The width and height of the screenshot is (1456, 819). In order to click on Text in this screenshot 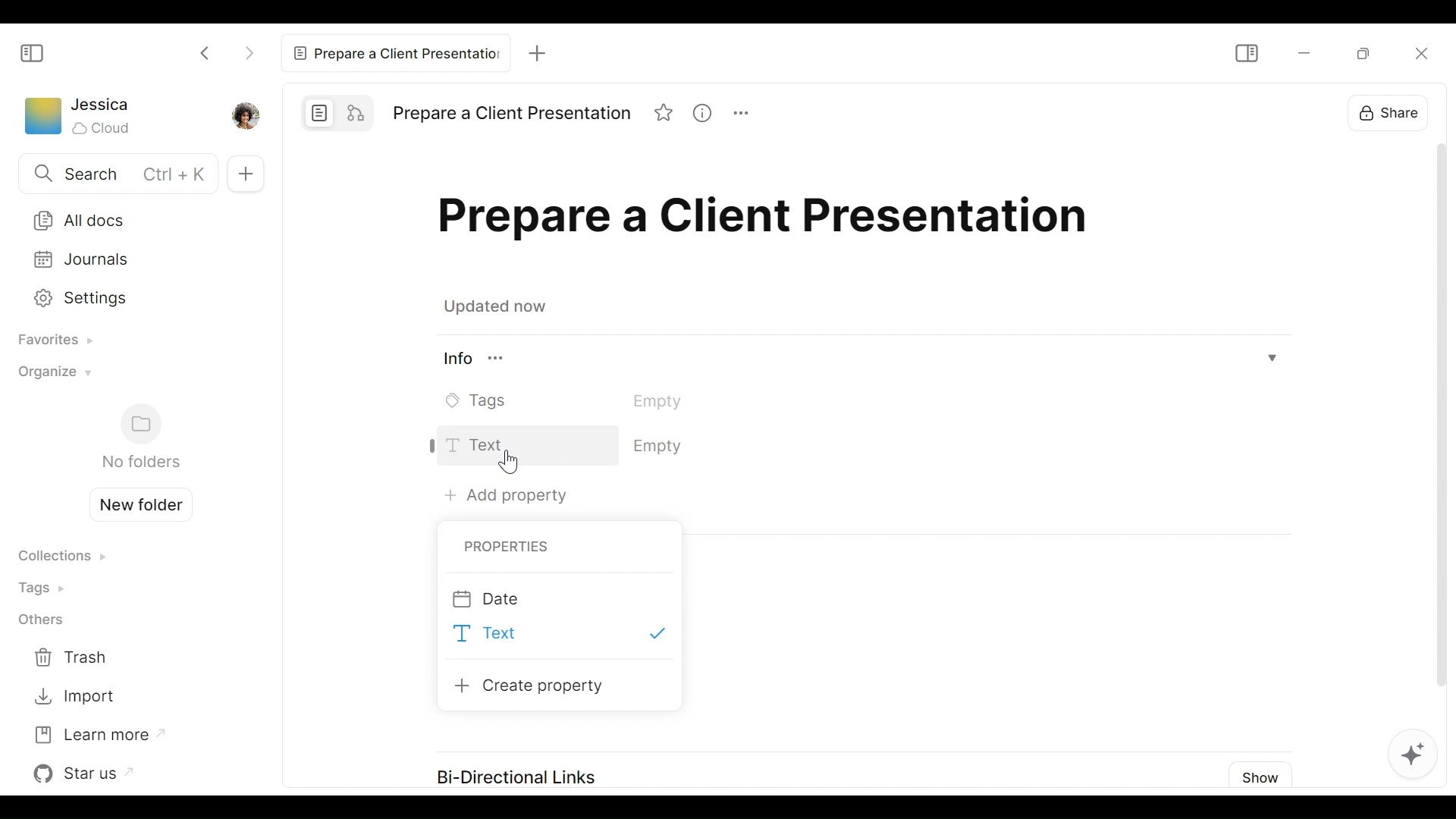, I will do `click(606, 447)`.